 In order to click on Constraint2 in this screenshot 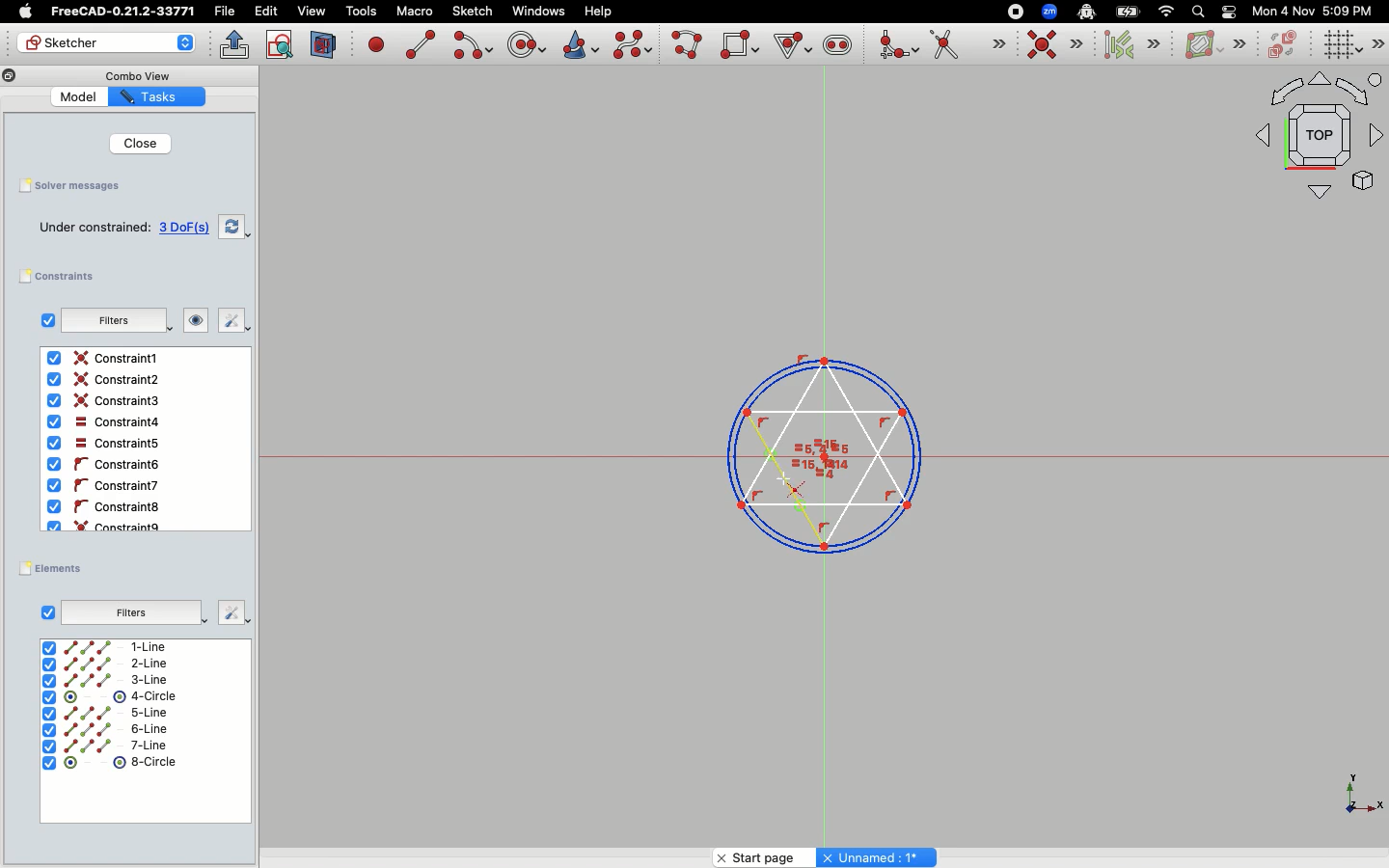, I will do `click(108, 380)`.